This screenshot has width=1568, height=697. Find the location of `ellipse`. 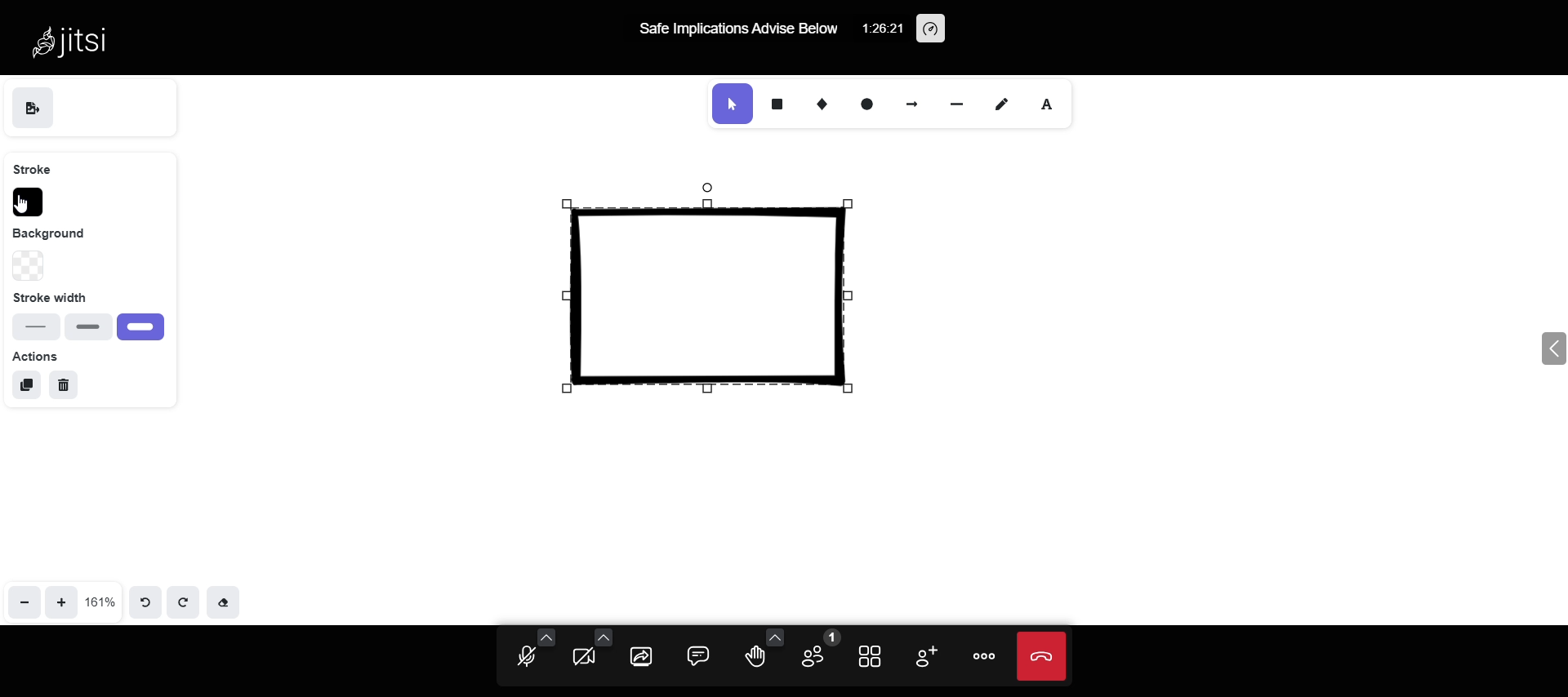

ellipse is located at coordinates (863, 101).